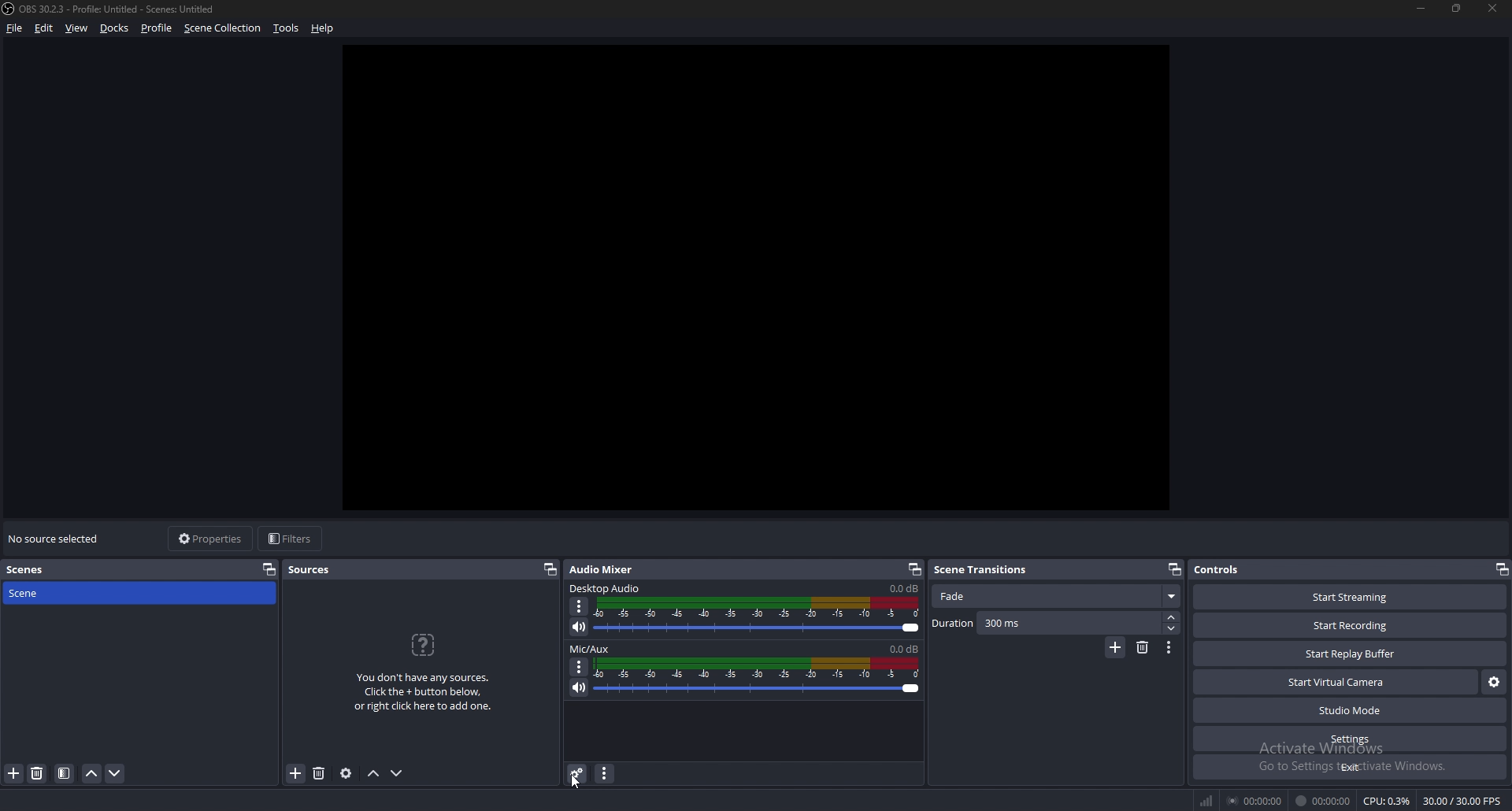  Describe the element at coordinates (582, 606) in the screenshot. I see `options` at that location.